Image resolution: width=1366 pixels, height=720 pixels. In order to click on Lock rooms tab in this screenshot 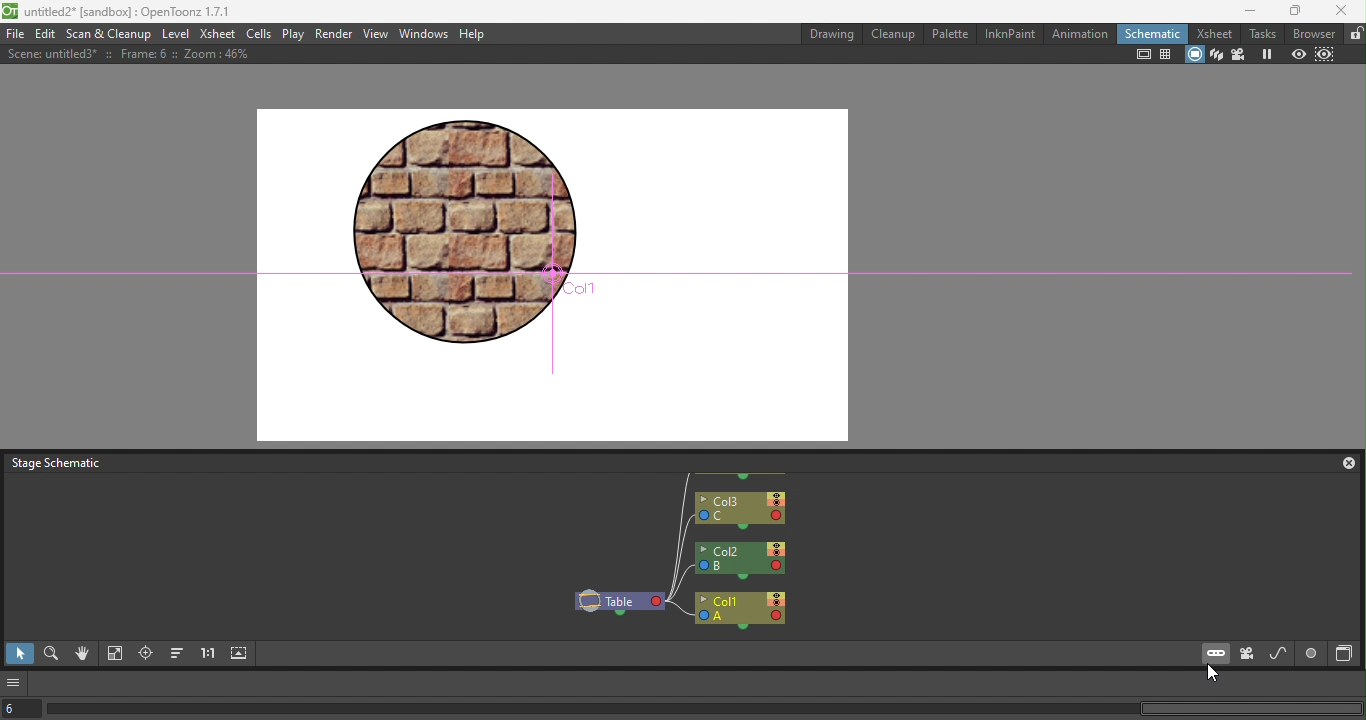, I will do `click(1355, 34)`.